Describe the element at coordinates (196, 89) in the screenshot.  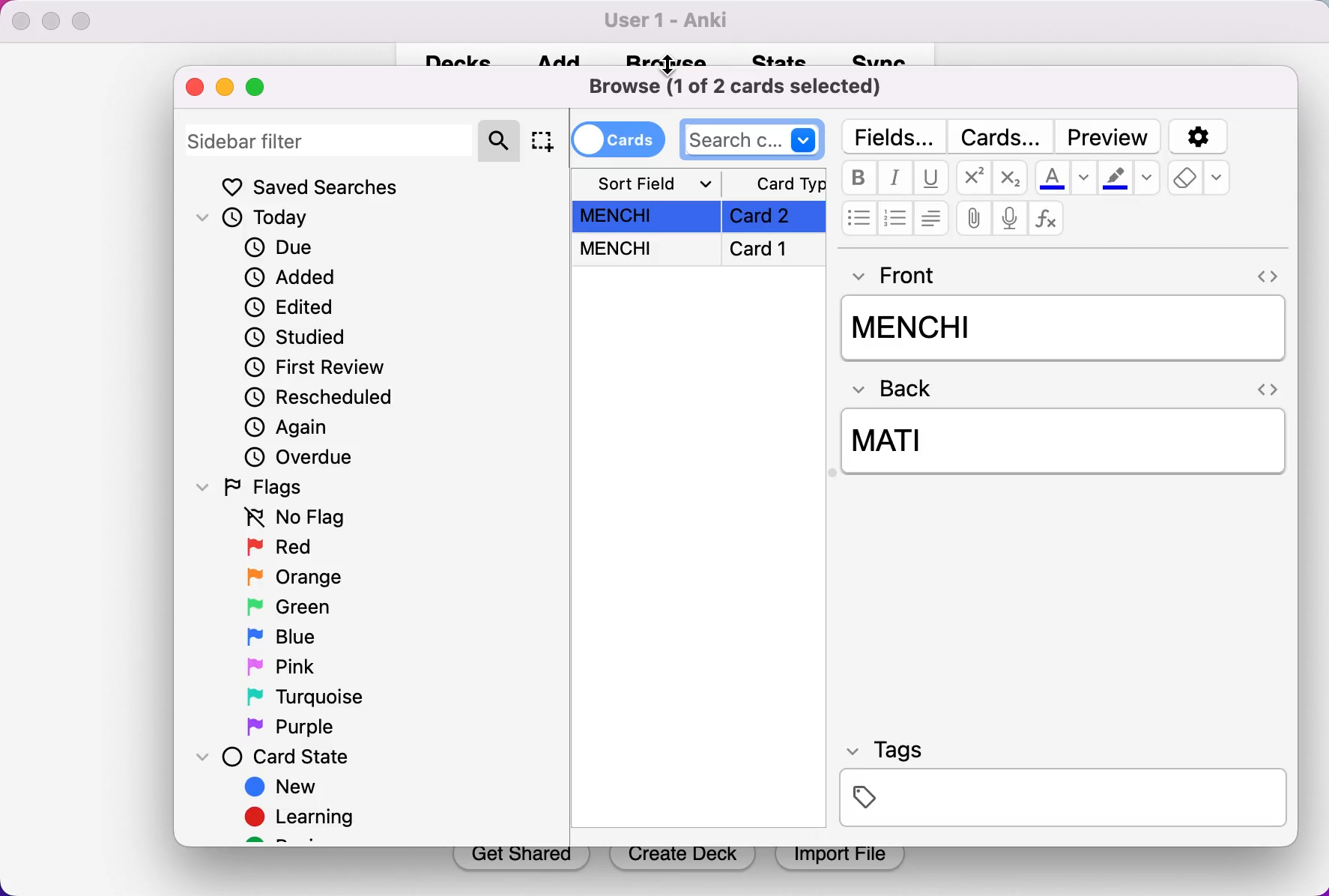
I see `close` at that location.